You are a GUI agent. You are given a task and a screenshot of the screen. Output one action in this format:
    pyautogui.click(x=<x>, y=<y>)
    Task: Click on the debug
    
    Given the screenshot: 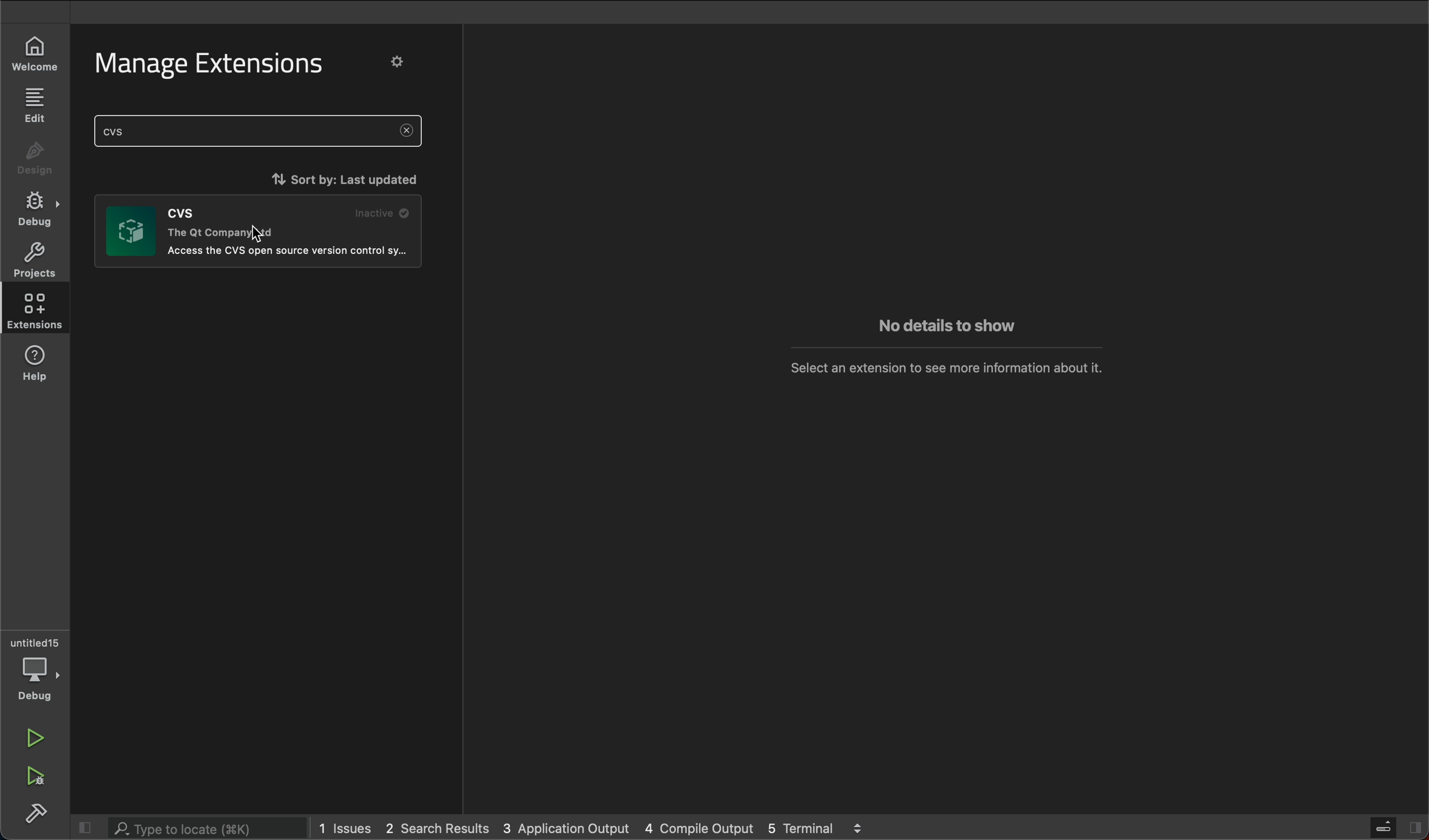 What is the action you would take?
    pyautogui.click(x=38, y=209)
    